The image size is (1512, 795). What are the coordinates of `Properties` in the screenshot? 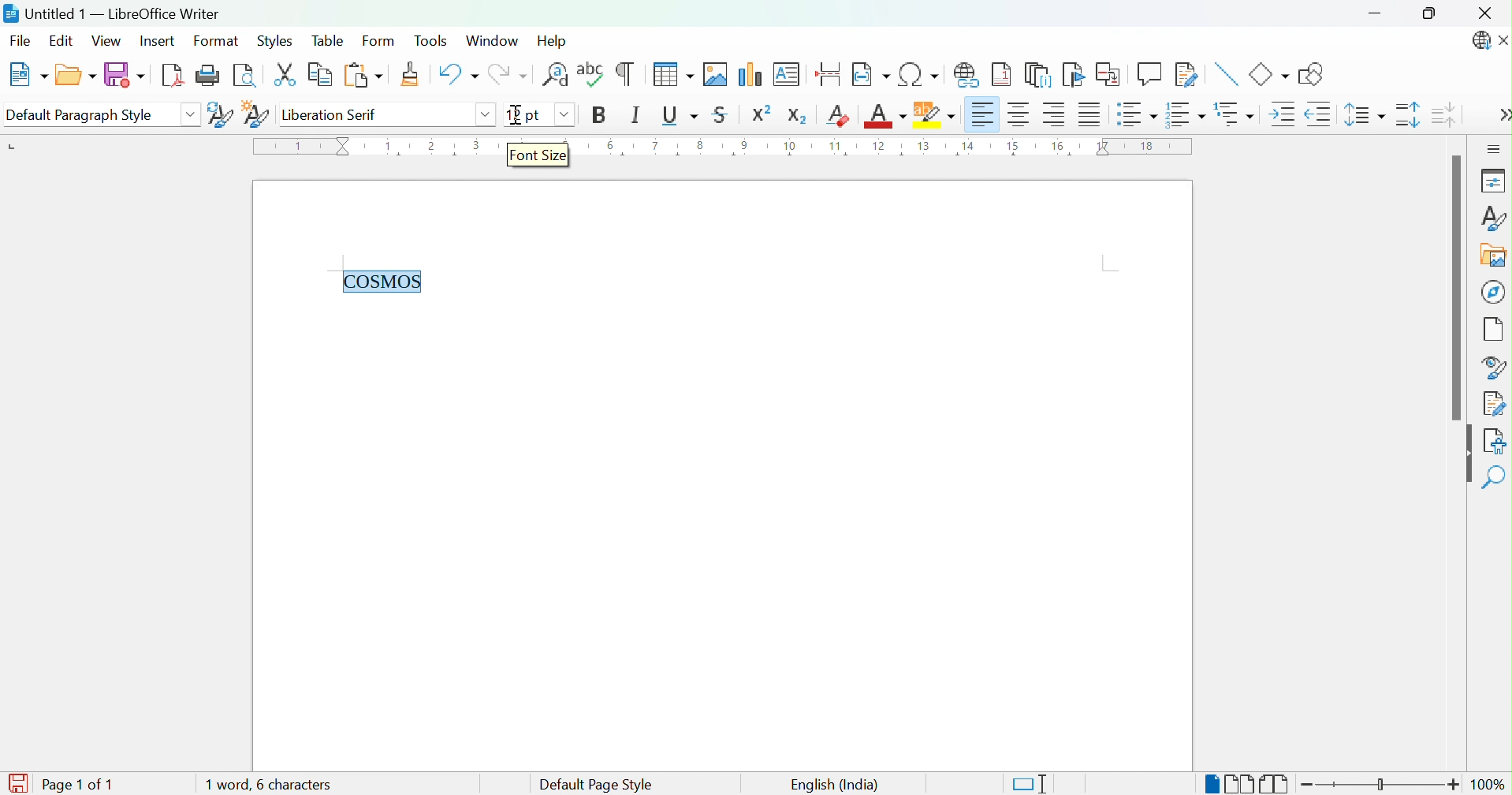 It's located at (1492, 180).